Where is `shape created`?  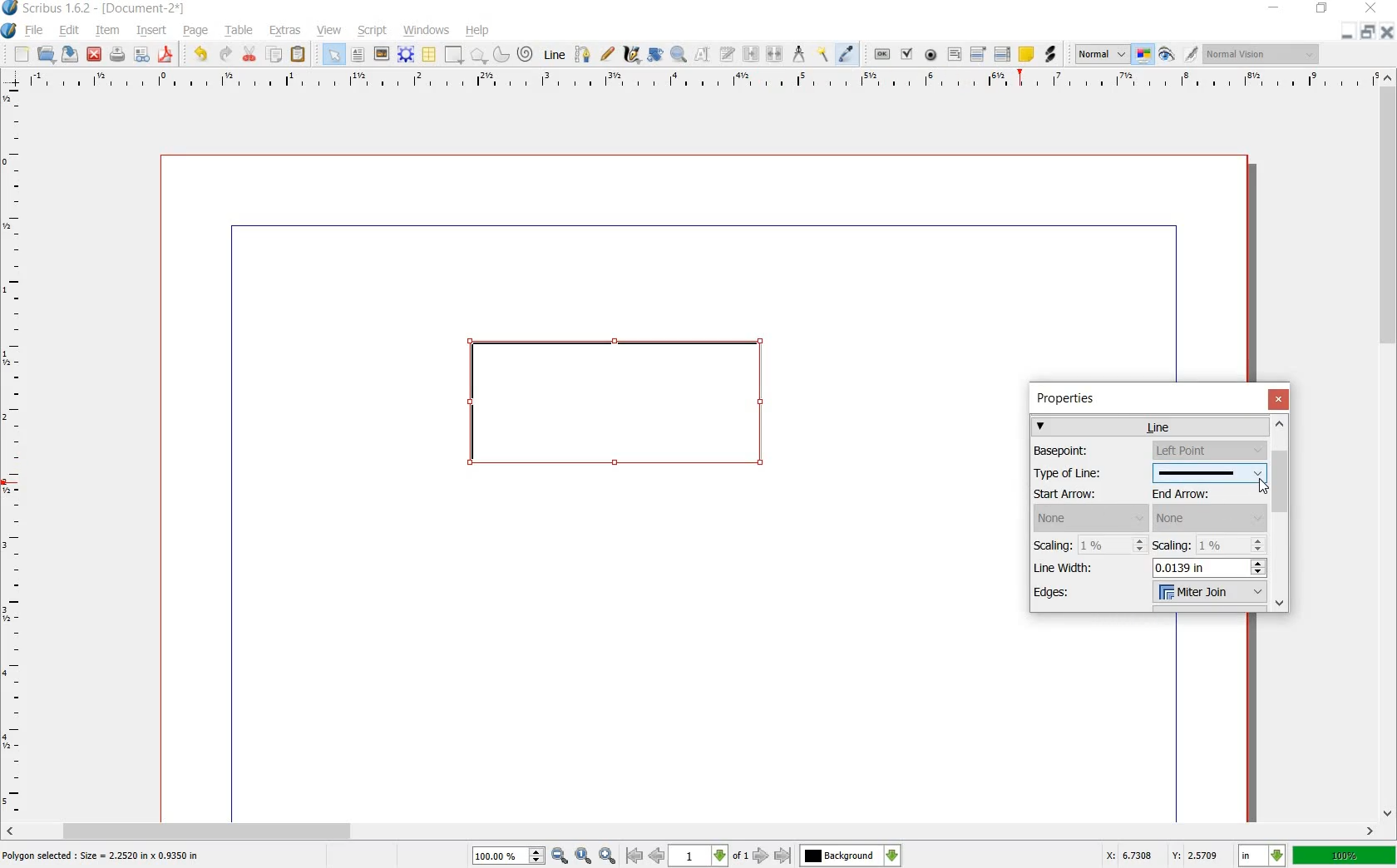
shape created is located at coordinates (617, 408).